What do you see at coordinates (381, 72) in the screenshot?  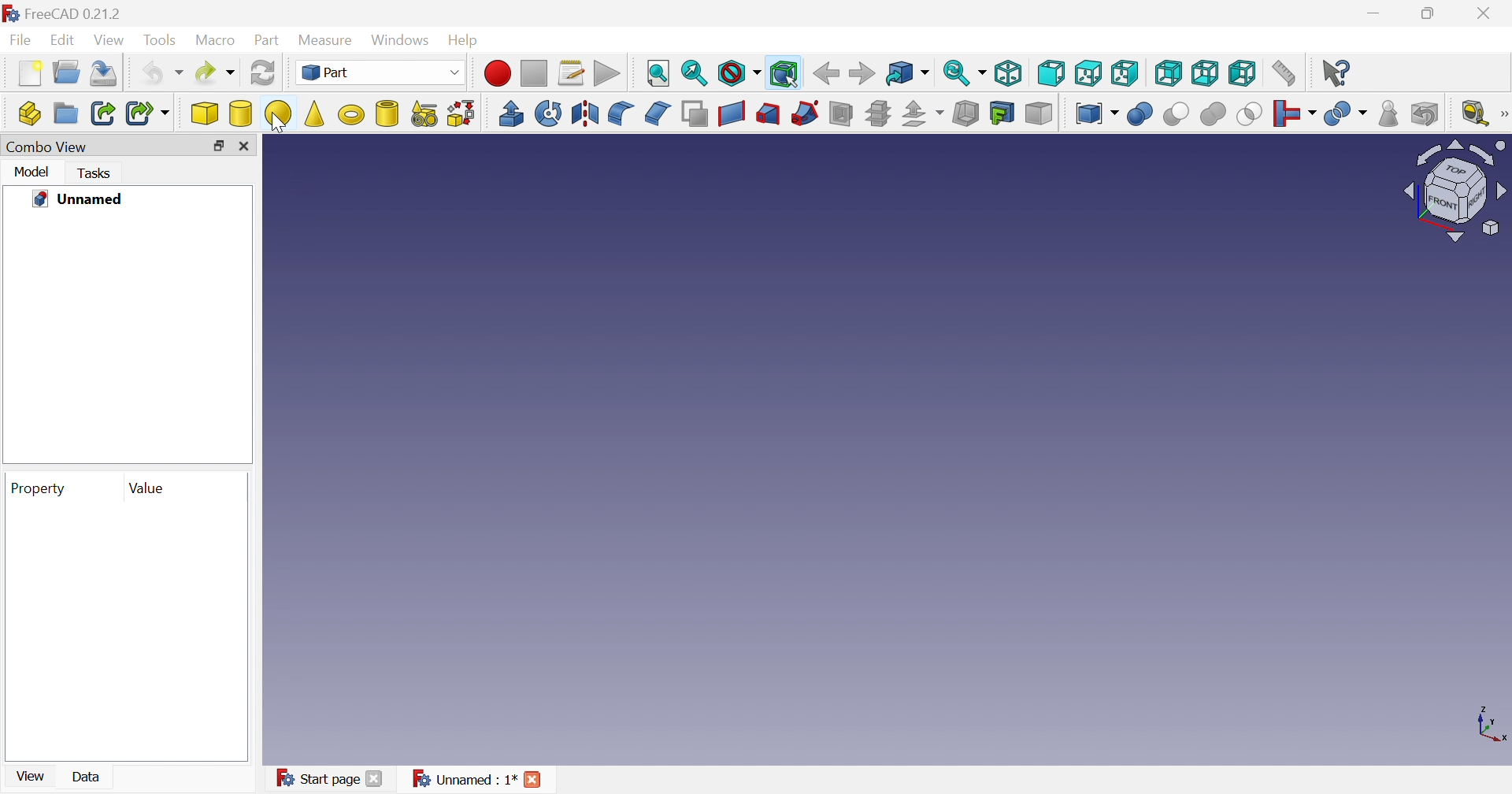 I see `Part` at bounding box center [381, 72].